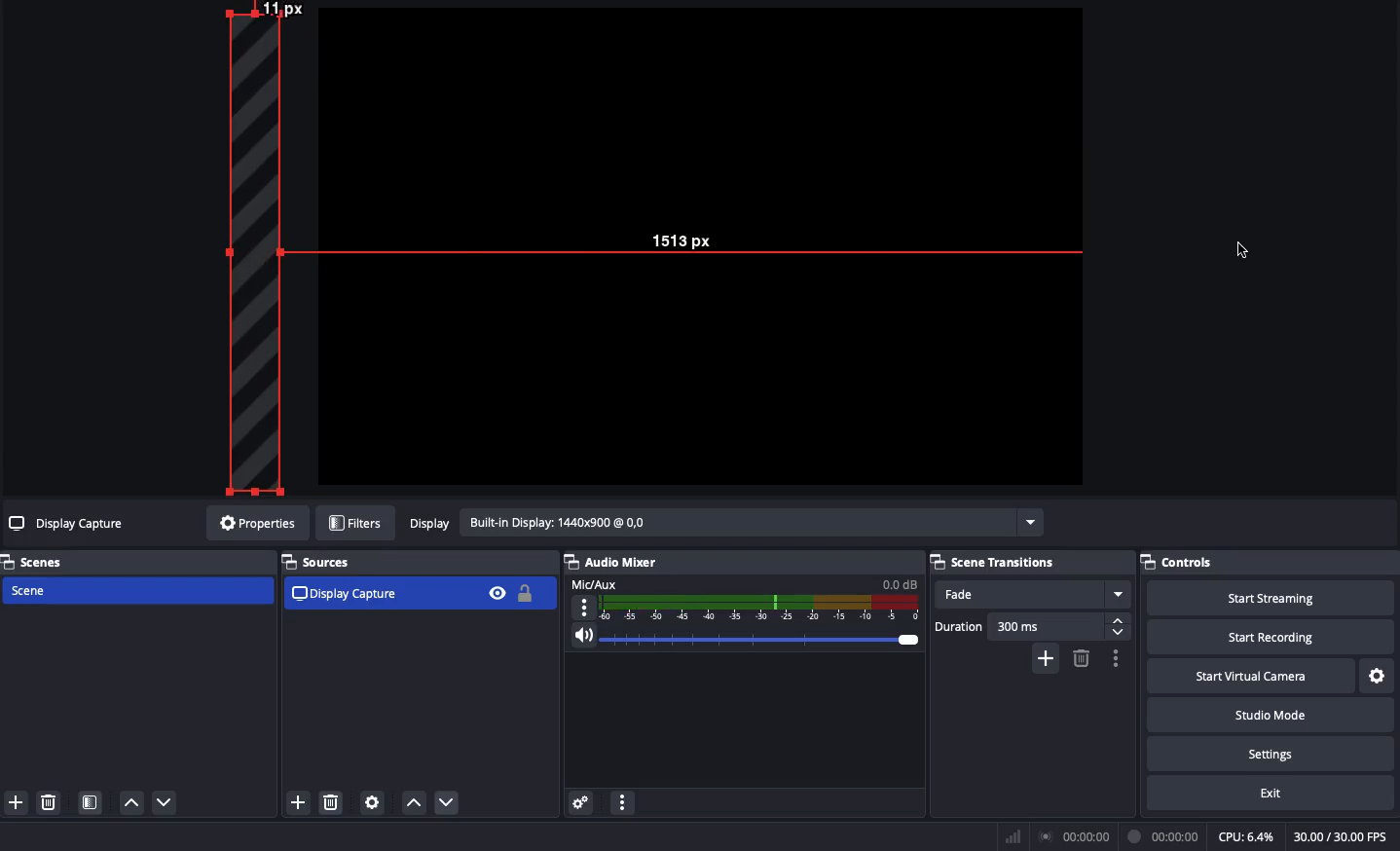 This screenshot has height=851, width=1400. Describe the element at coordinates (323, 562) in the screenshot. I see `Sources` at that location.